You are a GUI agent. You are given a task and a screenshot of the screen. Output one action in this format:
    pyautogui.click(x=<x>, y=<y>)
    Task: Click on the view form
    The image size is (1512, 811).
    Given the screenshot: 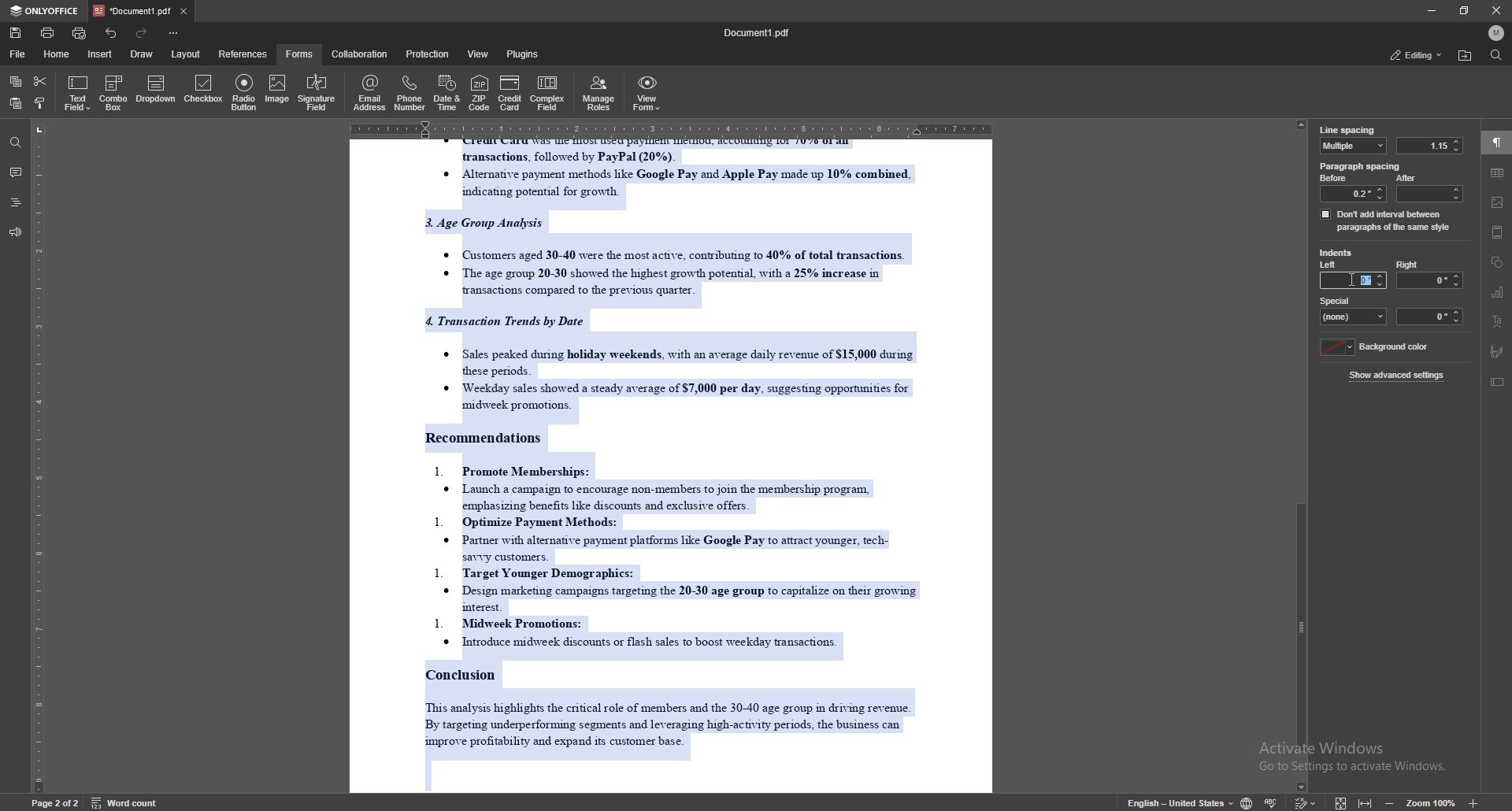 What is the action you would take?
    pyautogui.click(x=647, y=93)
    